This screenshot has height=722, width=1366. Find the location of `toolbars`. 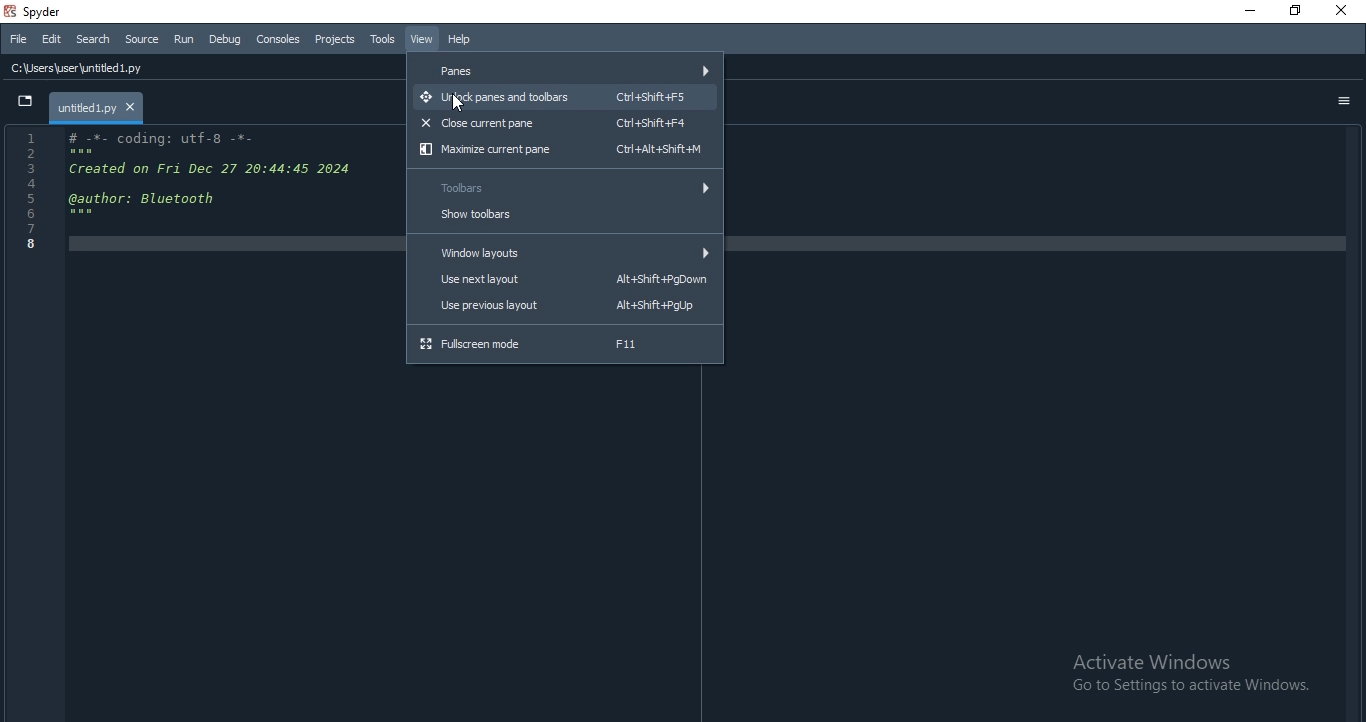

toolbars is located at coordinates (566, 186).